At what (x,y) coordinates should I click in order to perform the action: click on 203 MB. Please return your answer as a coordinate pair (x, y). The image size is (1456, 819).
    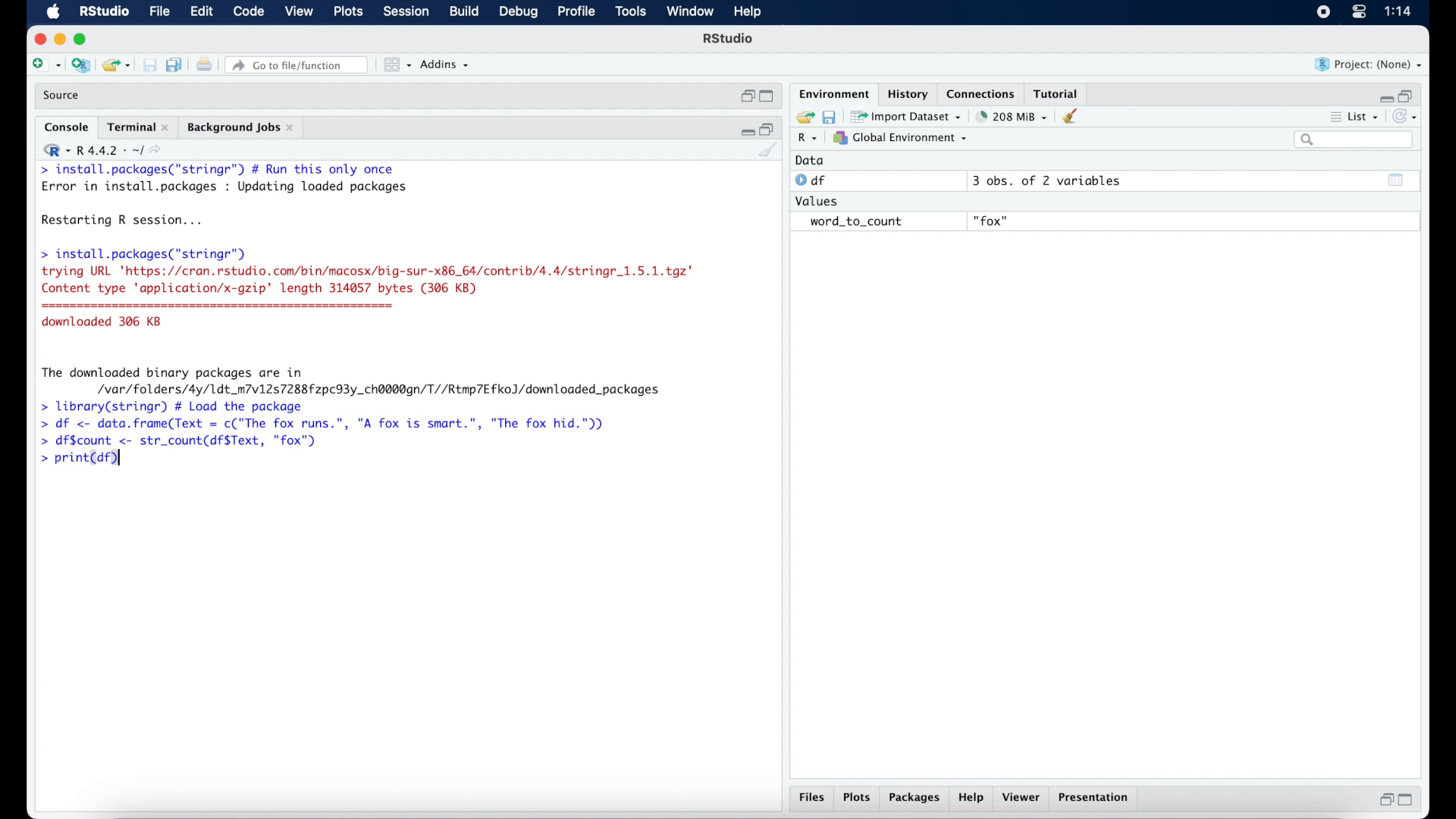
    Looking at the image, I should click on (1013, 117).